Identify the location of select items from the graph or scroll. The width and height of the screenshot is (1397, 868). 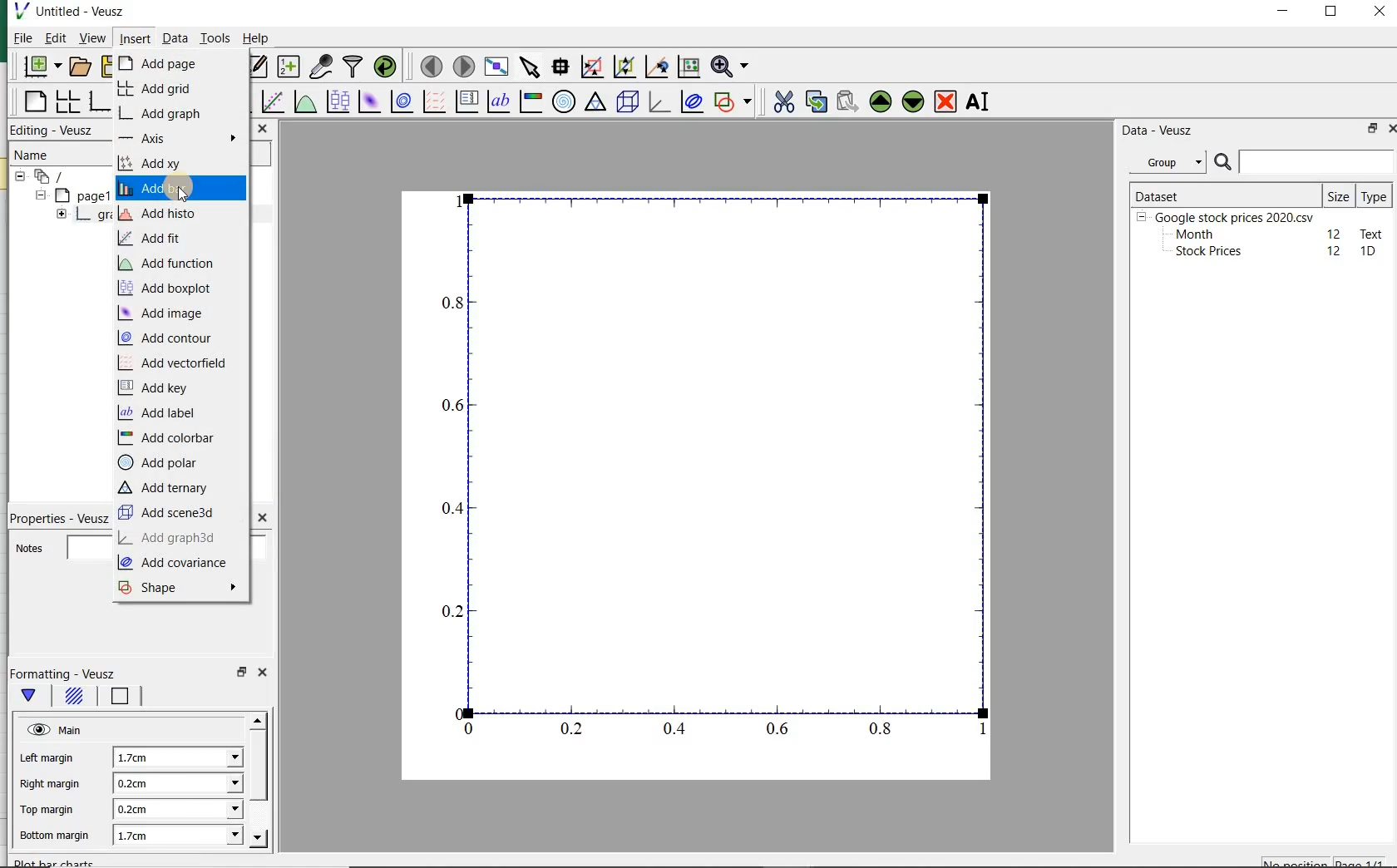
(529, 67).